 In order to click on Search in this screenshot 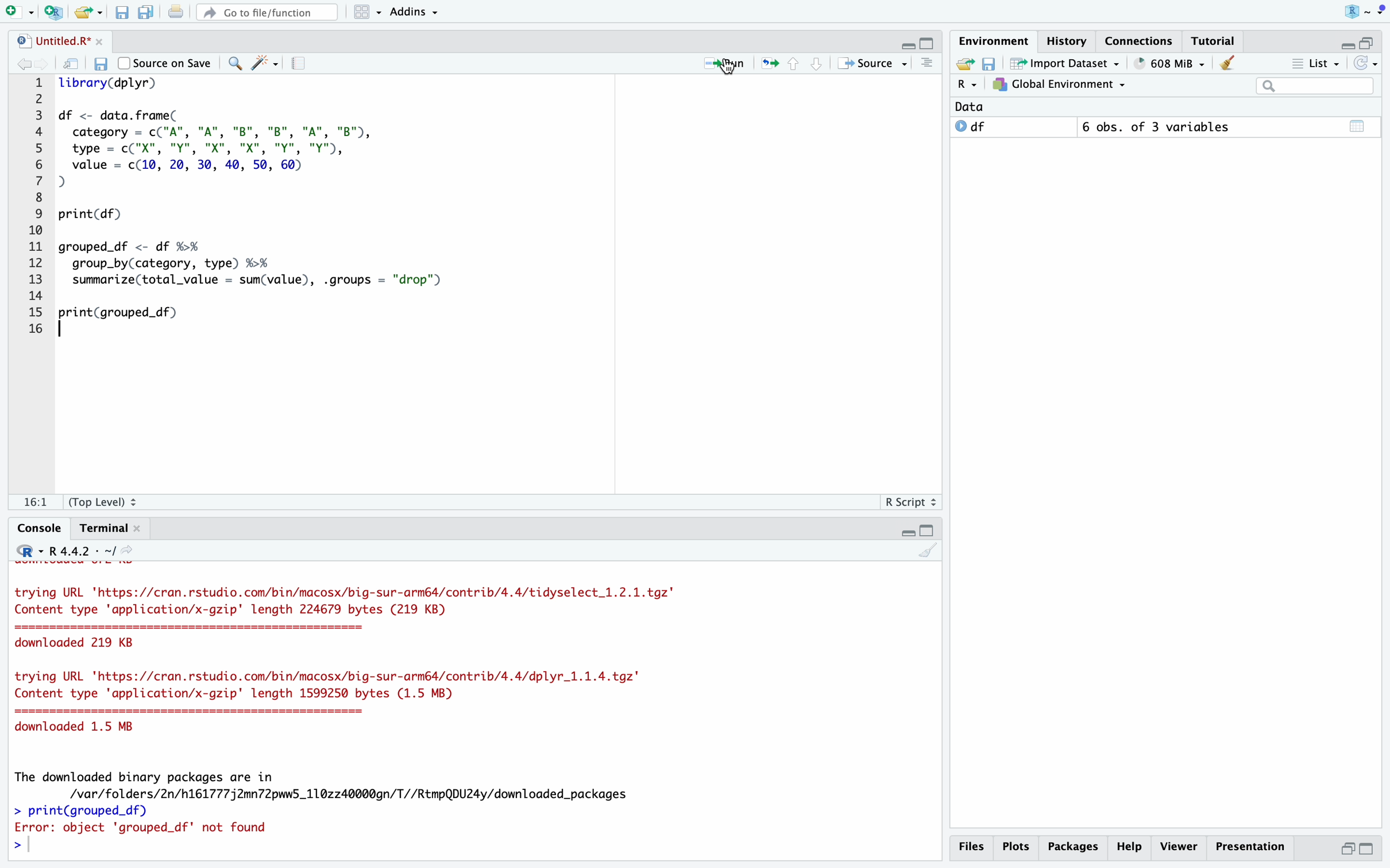, I will do `click(1317, 86)`.